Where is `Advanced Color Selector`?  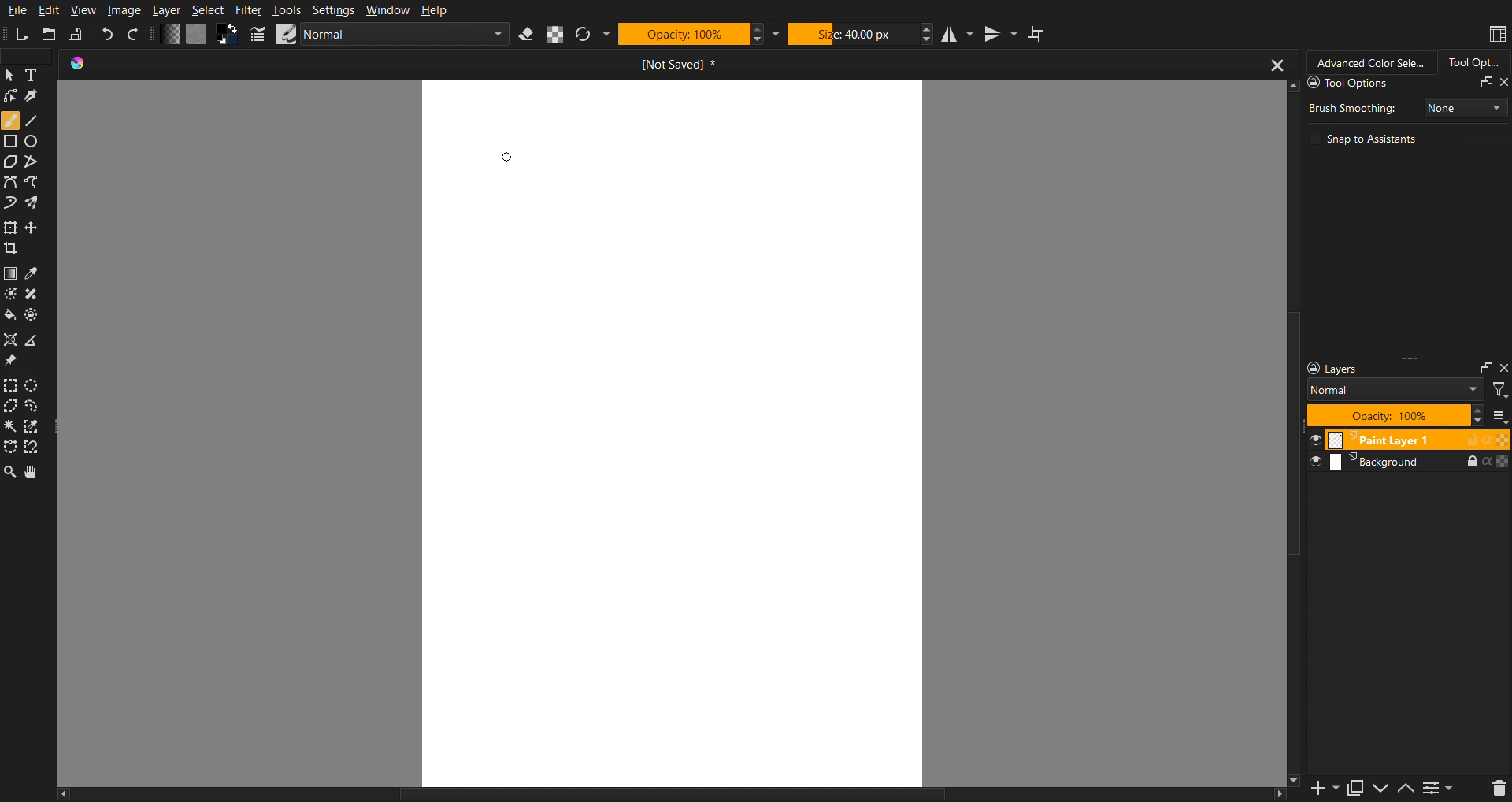 Advanced Color Selector is located at coordinates (1369, 62).